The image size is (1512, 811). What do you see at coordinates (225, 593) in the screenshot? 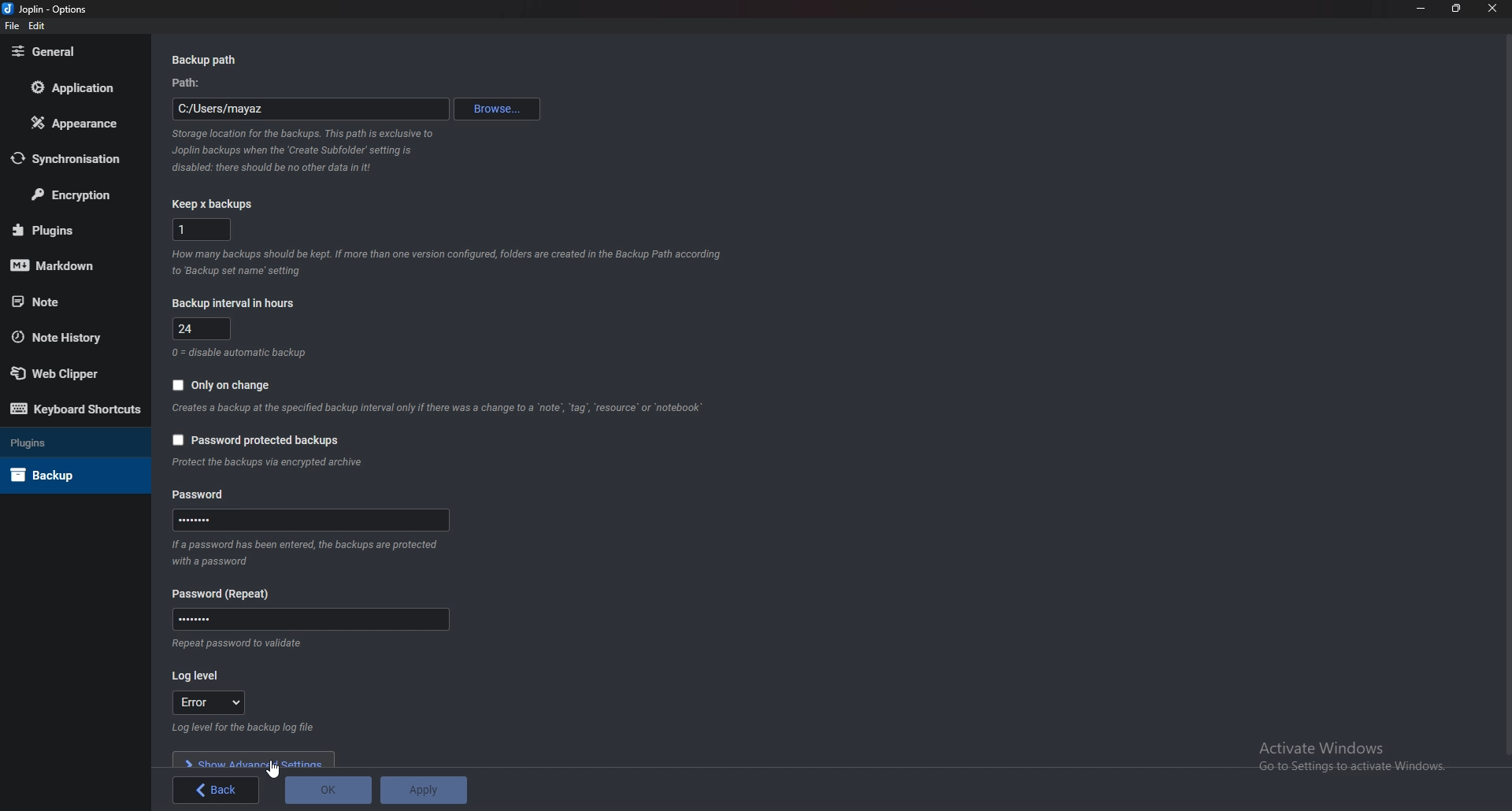
I see `Password` at bounding box center [225, 593].